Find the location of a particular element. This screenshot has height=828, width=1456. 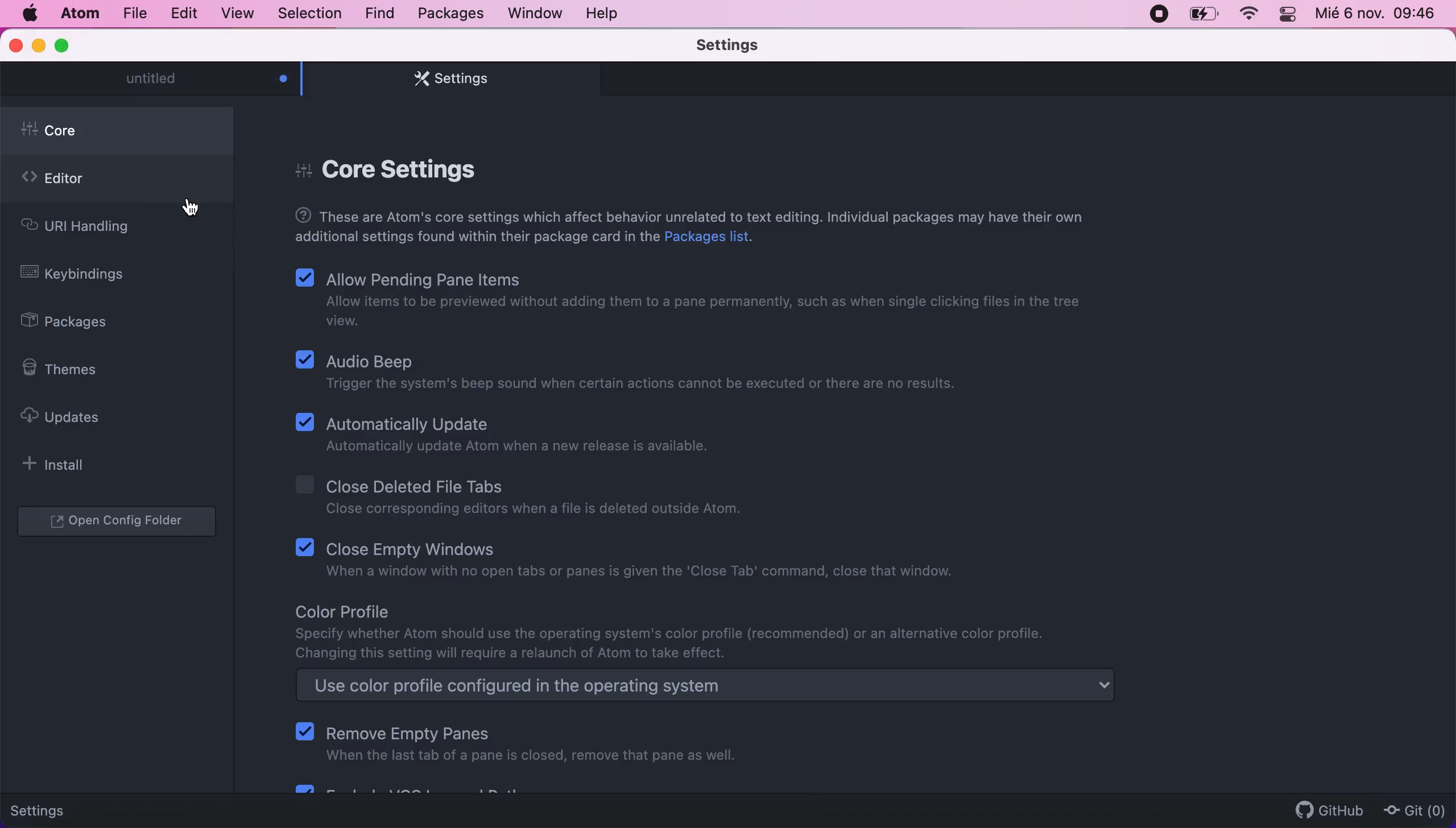

Git(0) is located at coordinates (1416, 810).